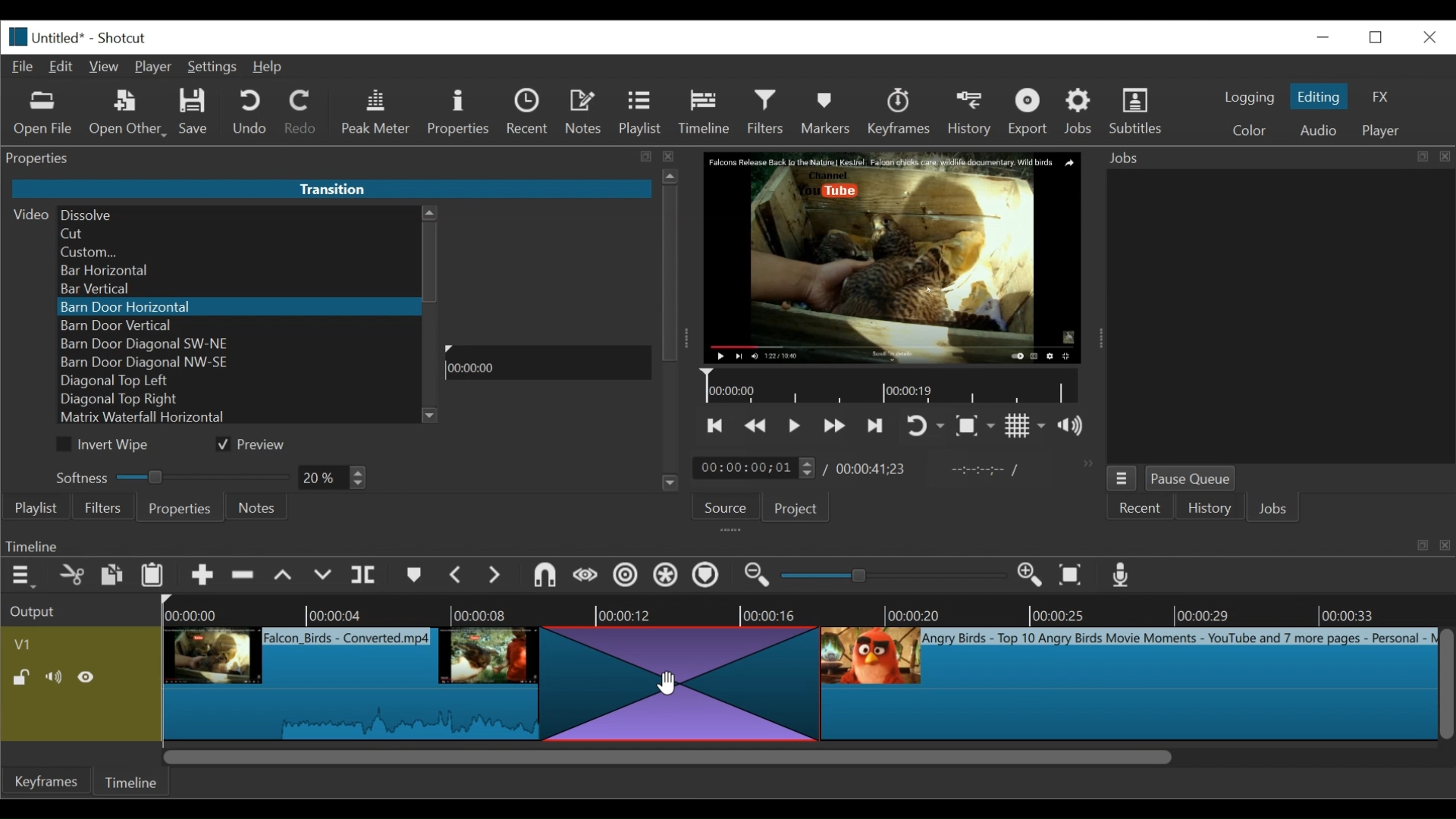 This screenshot has width=1456, height=819. What do you see at coordinates (366, 574) in the screenshot?
I see `Split at Playhead` at bounding box center [366, 574].